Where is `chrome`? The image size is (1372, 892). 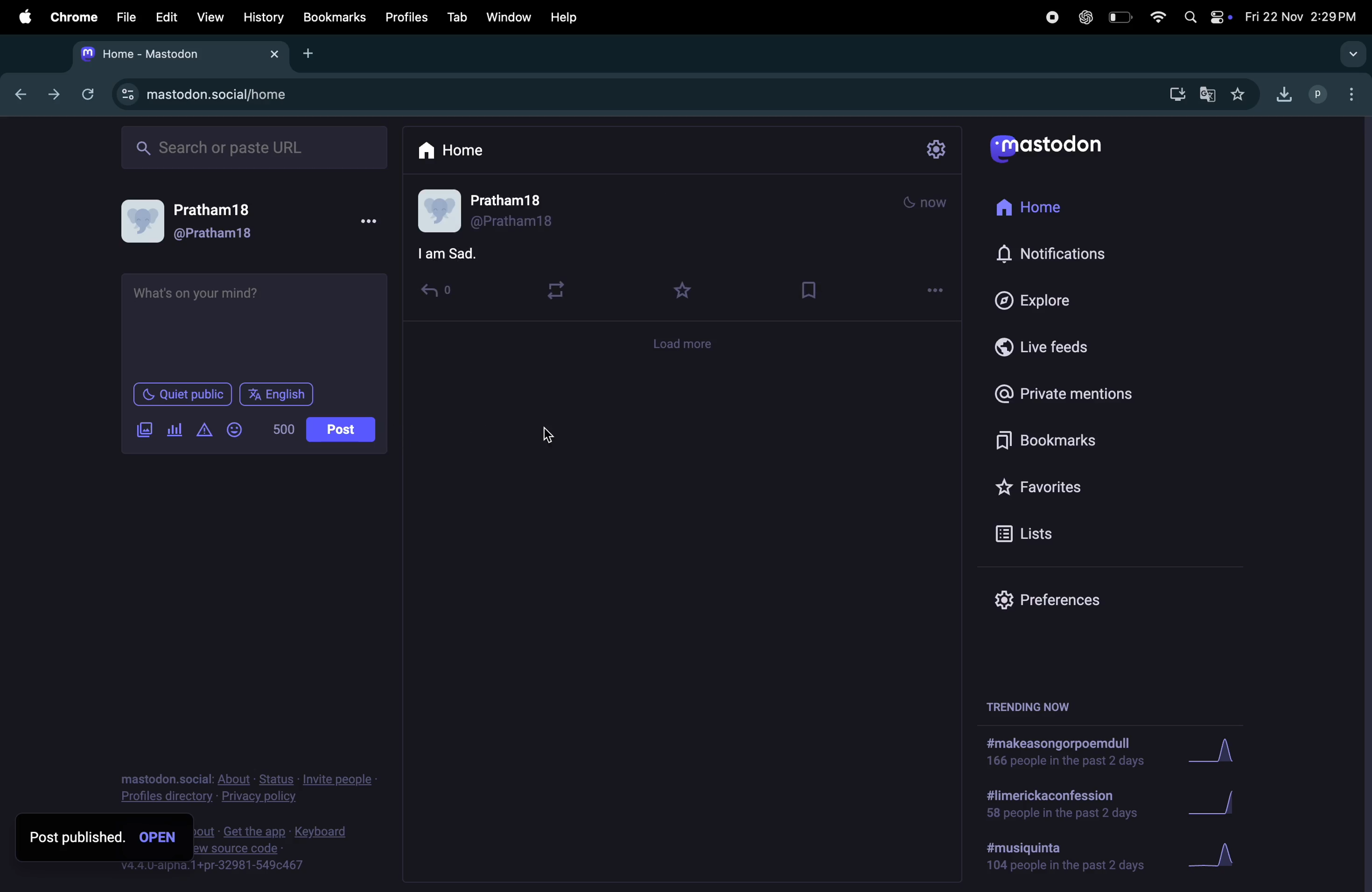
chrome is located at coordinates (70, 16).